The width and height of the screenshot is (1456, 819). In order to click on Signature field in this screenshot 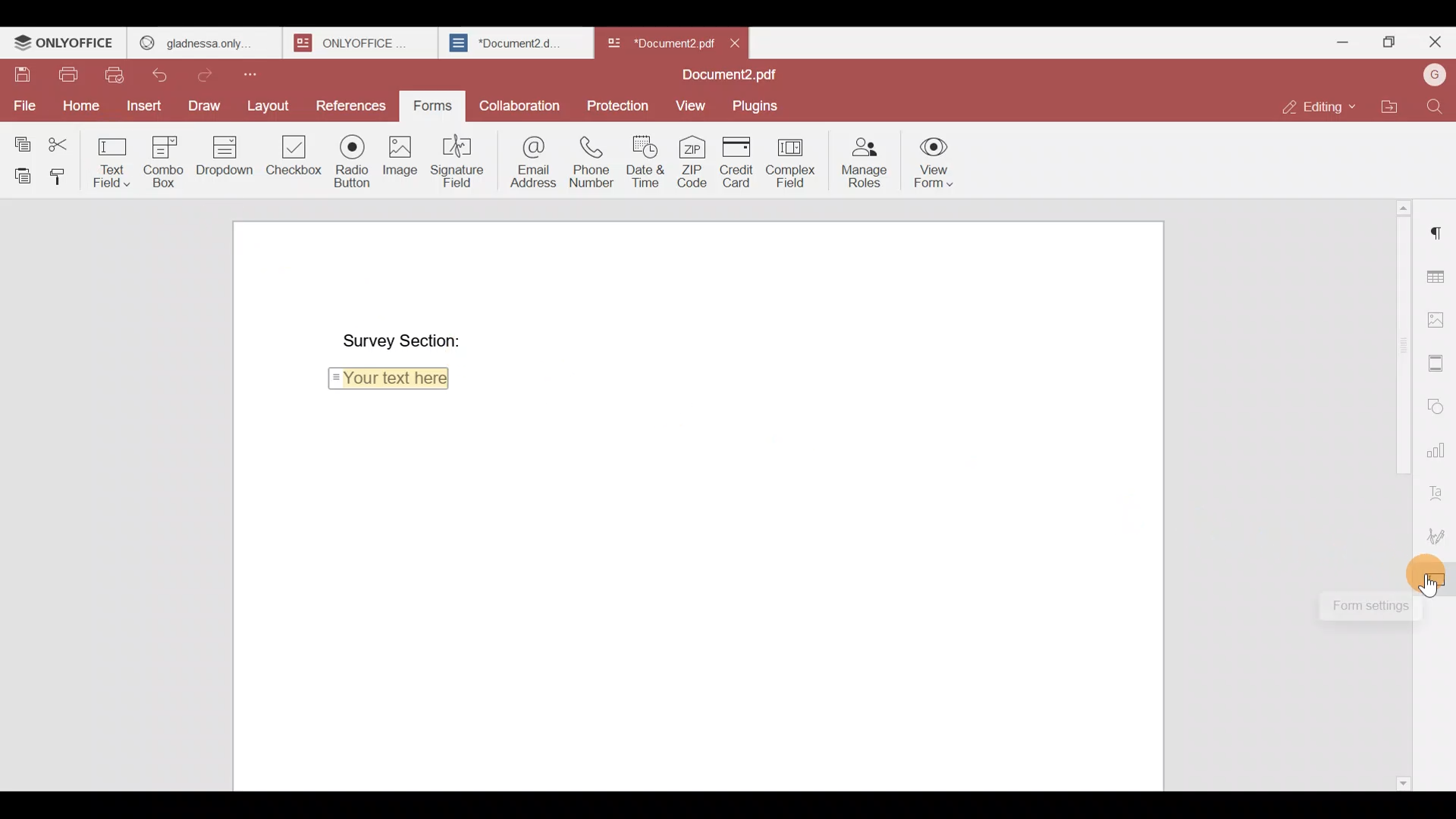, I will do `click(461, 160)`.